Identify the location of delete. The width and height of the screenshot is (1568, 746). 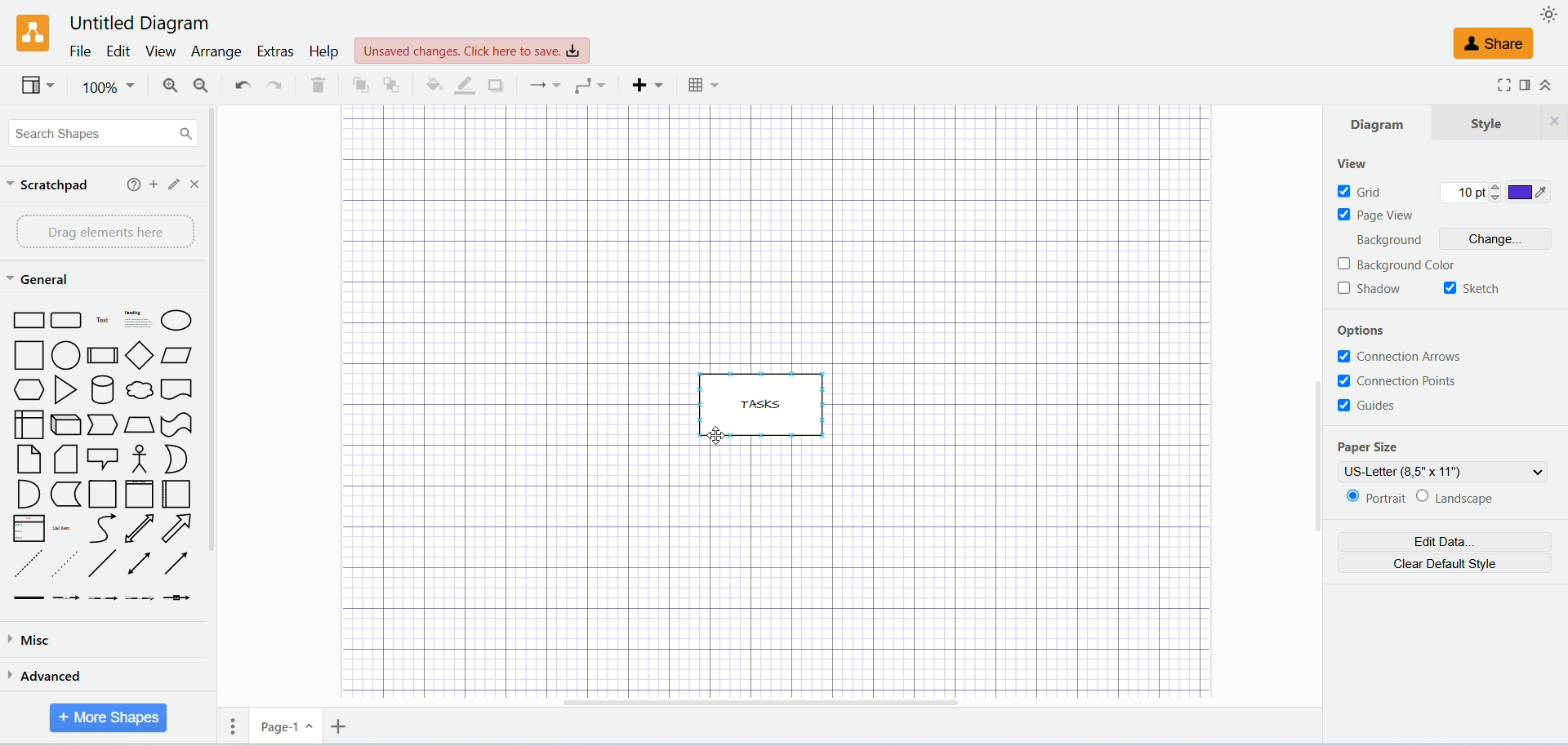
(318, 84).